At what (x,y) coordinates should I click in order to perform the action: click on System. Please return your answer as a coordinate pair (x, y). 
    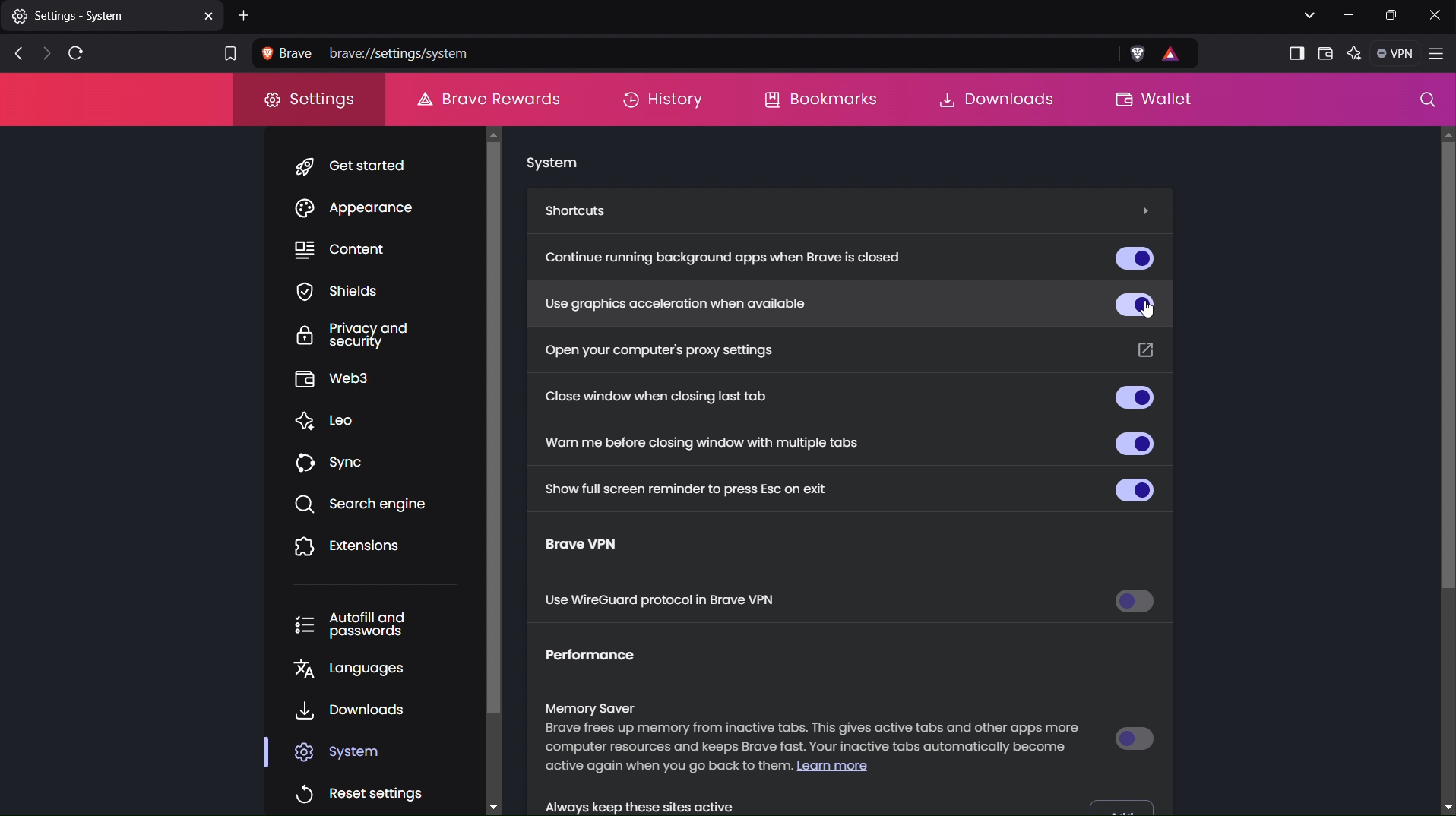
    Looking at the image, I should click on (551, 164).